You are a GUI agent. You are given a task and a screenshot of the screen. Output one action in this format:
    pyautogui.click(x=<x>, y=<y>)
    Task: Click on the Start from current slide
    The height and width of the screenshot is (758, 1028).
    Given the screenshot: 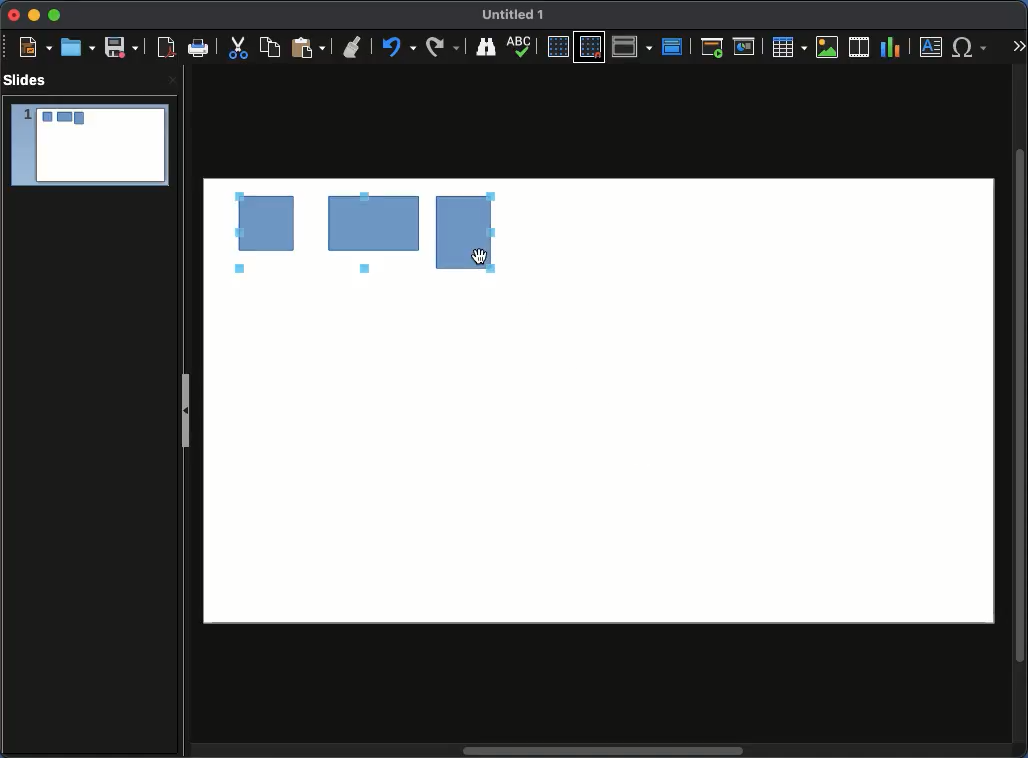 What is the action you would take?
    pyautogui.click(x=745, y=48)
    